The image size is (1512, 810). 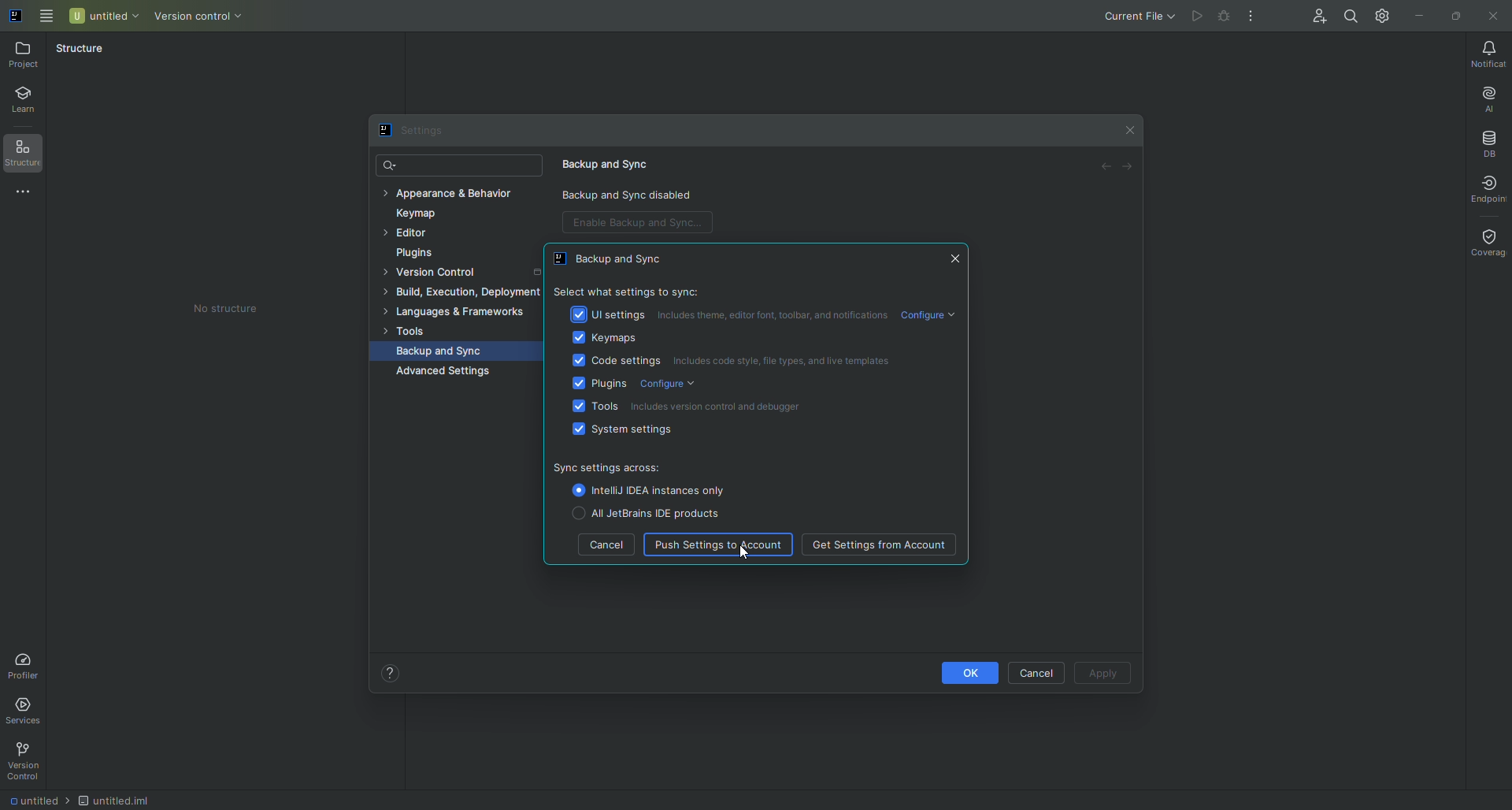 What do you see at coordinates (719, 544) in the screenshot?
I see `Push Settings to Account` at bounding box center [719, 544].